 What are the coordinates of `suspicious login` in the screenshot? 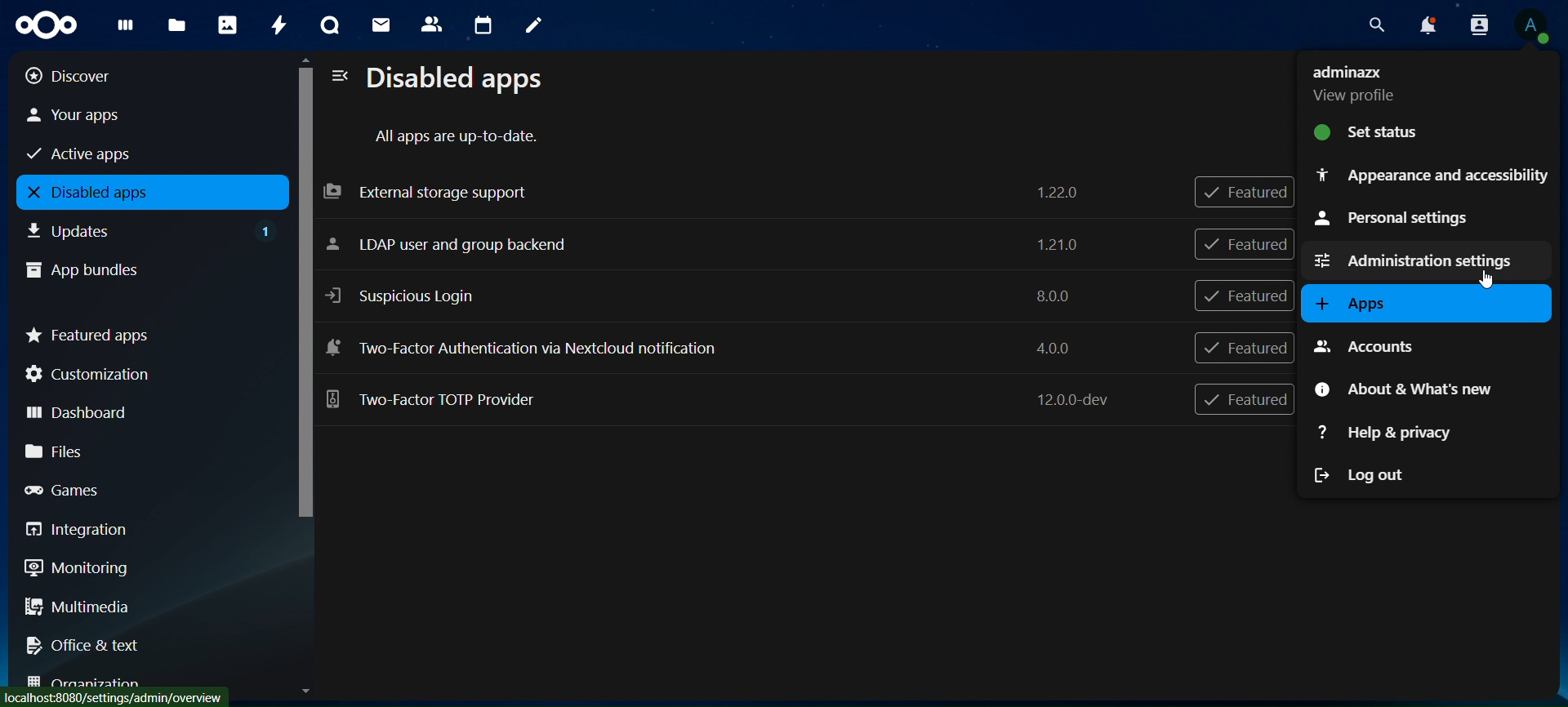 It's located at (706, 292).